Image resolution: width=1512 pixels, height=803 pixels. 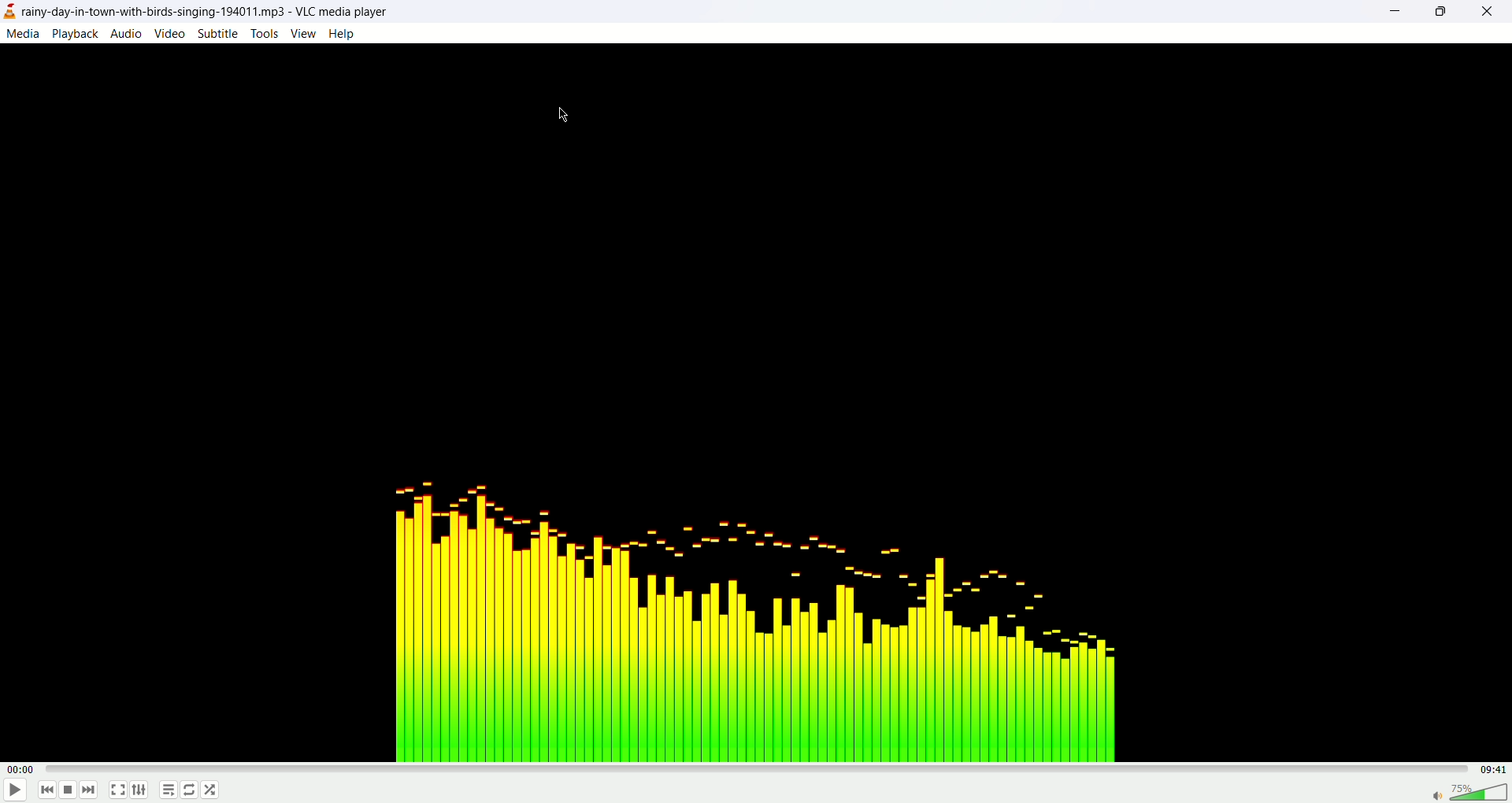 I want to click on logo, so click(x=9, y=13).